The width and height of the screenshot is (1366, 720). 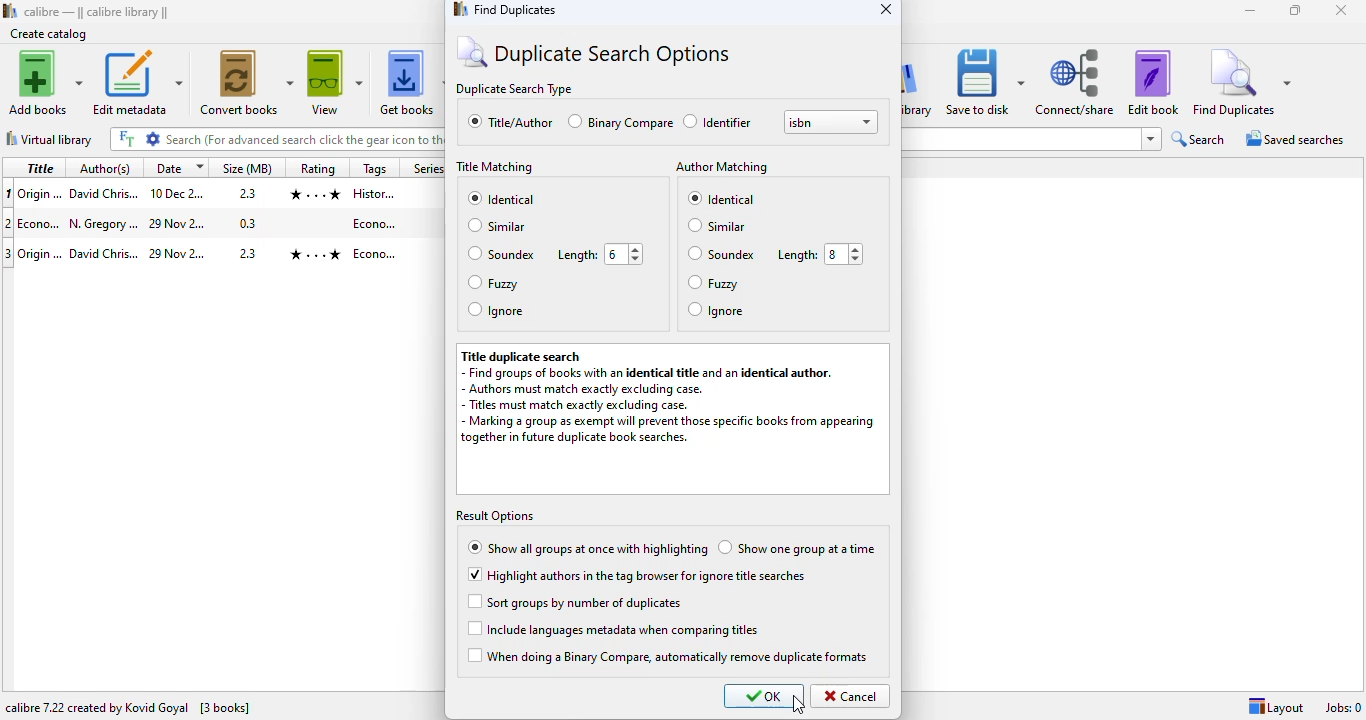 I want to click on save to disk, so click(x=986, y=83).